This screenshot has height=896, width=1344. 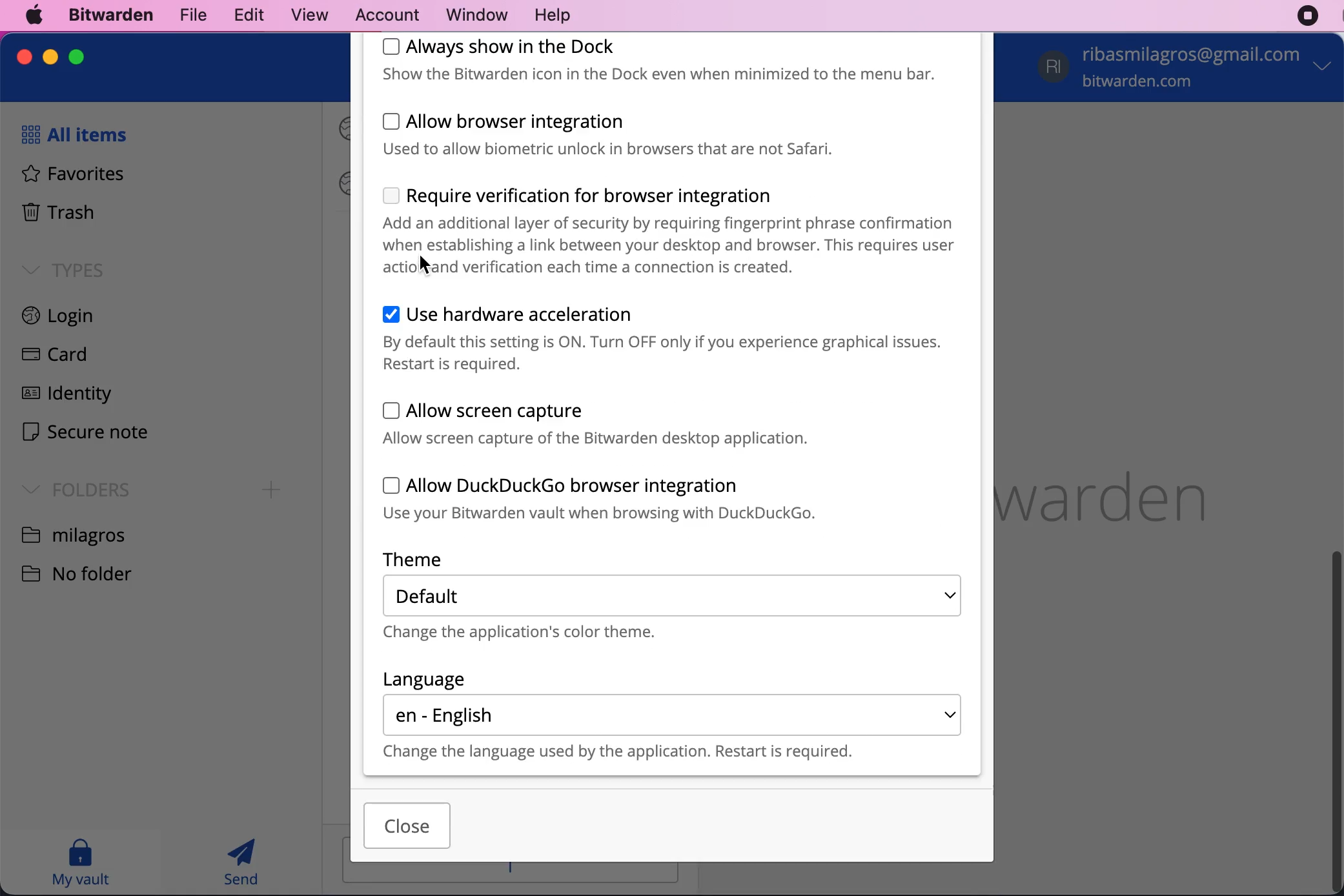 I want to click on view, so click(x=303, y=15).